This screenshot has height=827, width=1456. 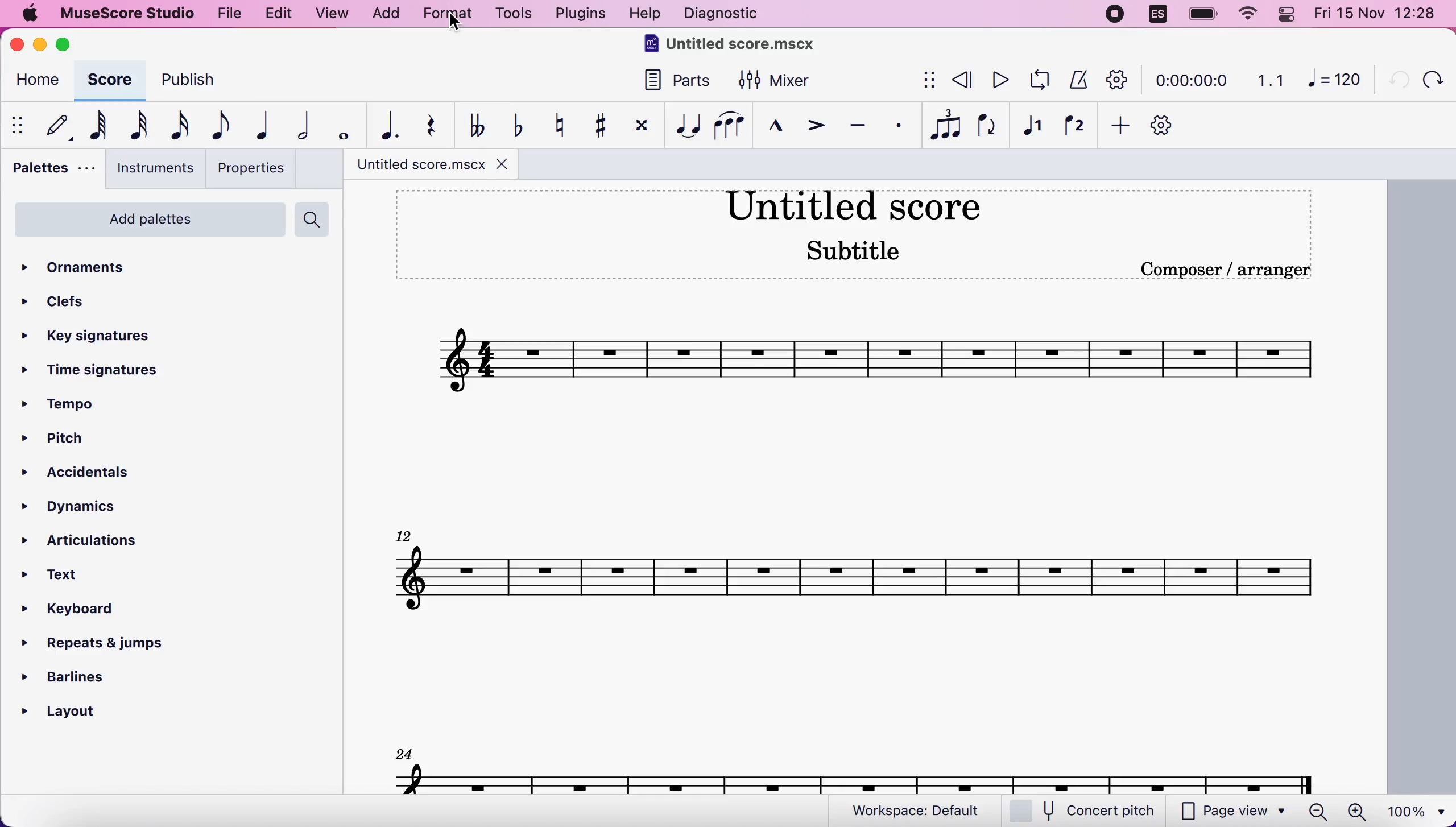 What do you see at coordinates (1076, 79) in the screenshot?
I see `metronome` at bounding box center [1076, 79].